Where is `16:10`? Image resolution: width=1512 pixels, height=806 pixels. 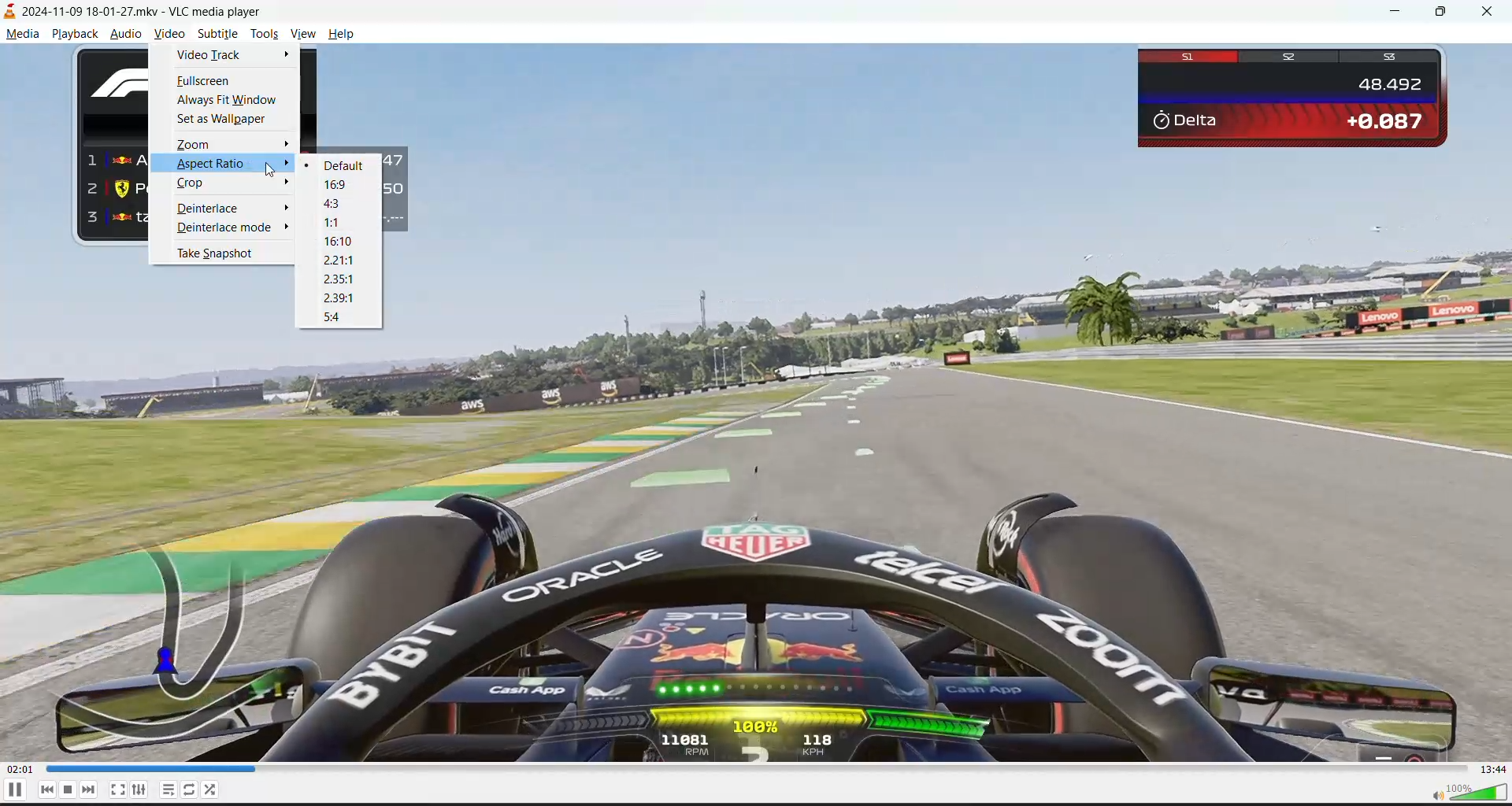
16:10 is located at coordinates (340, 241).